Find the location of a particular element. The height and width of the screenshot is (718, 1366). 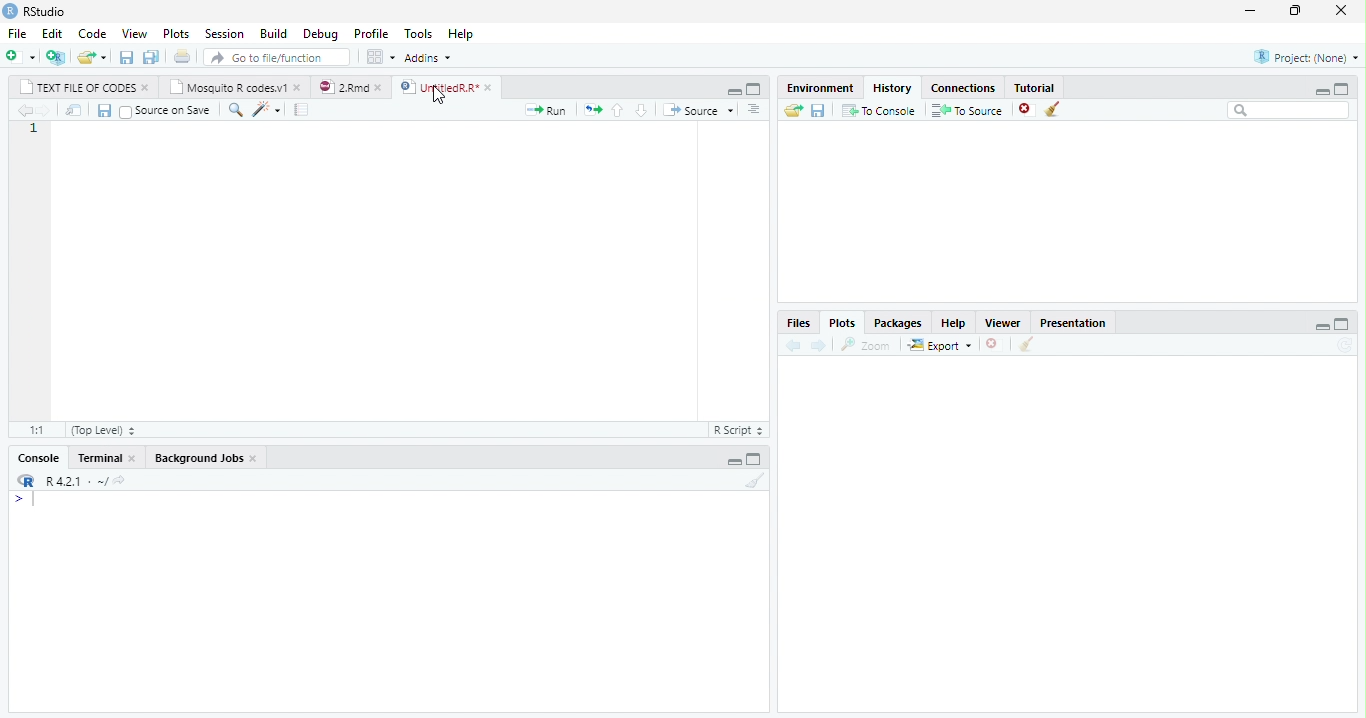

minimize is located at coordinates (1250, 10).